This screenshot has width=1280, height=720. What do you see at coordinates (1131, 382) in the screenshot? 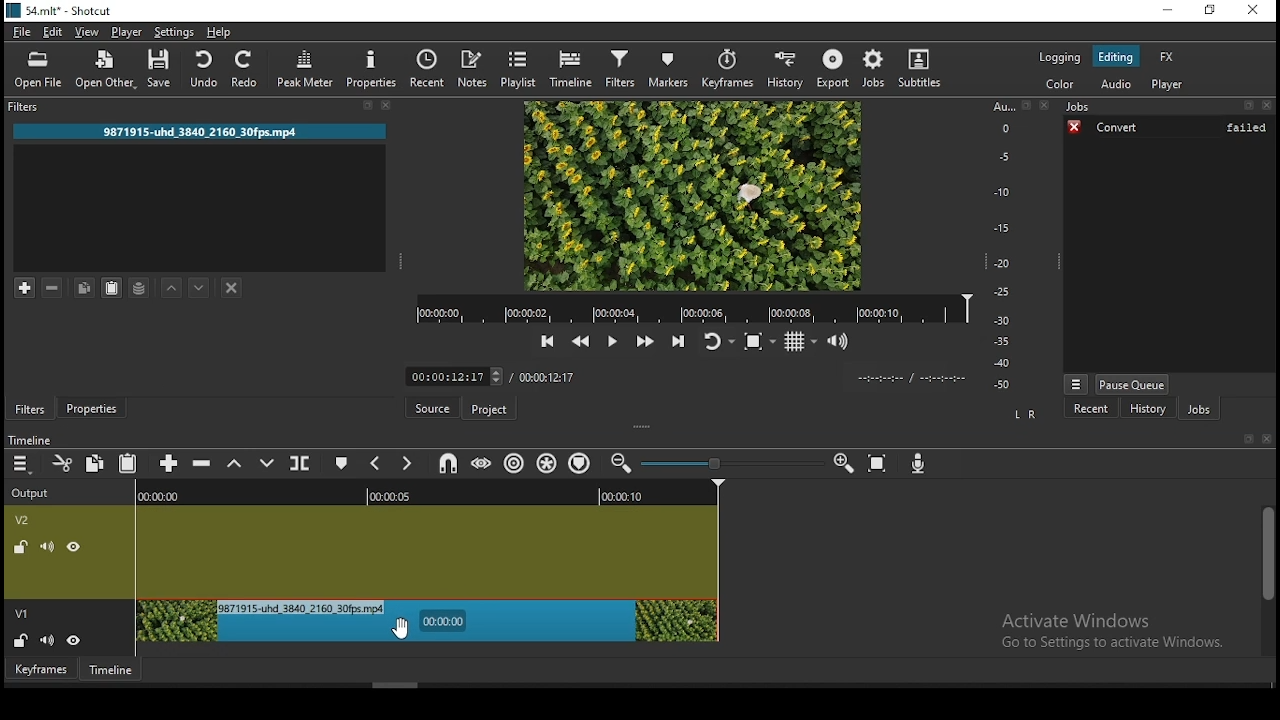
I see `pause queue` at bounding box center [1131, 382].